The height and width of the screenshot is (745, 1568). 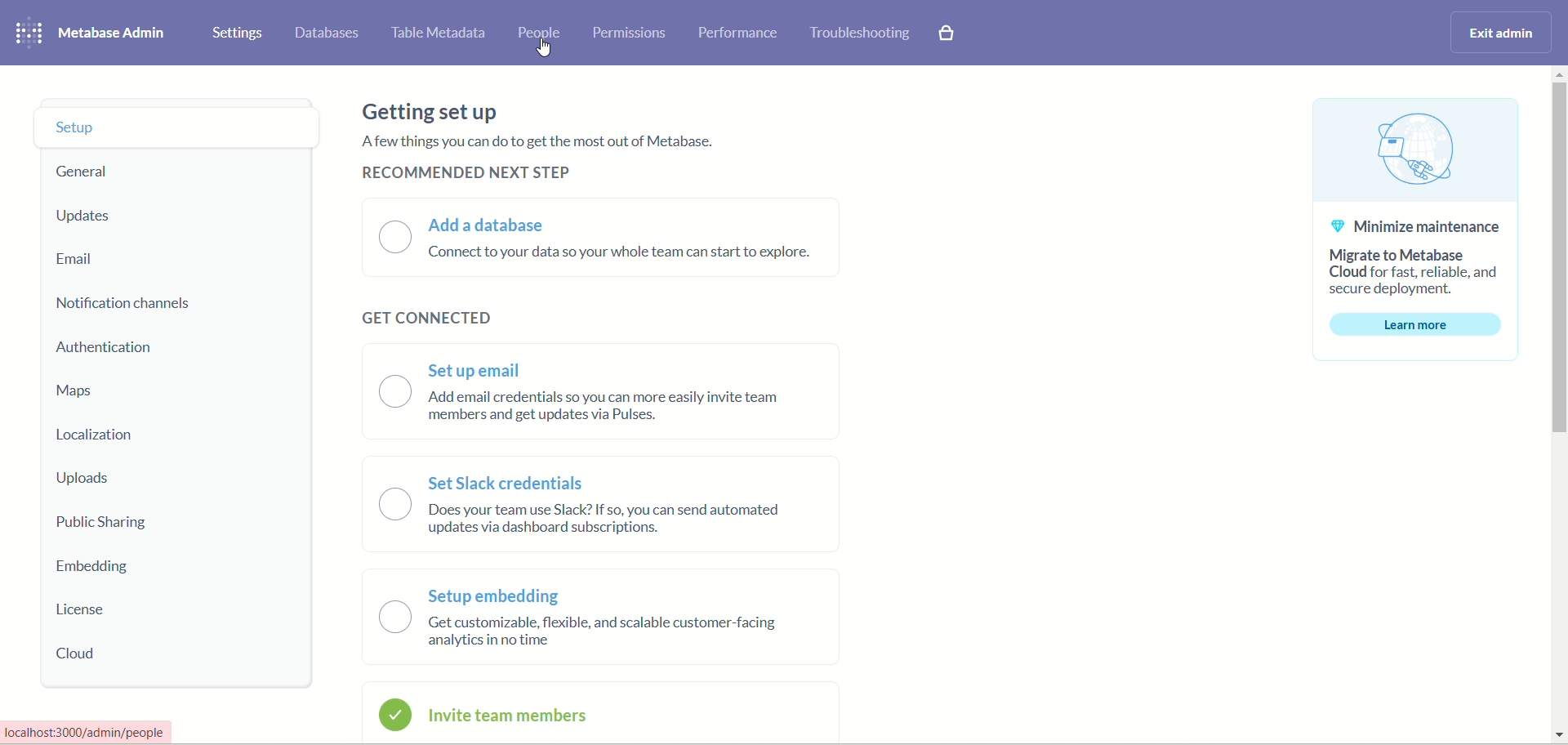 What do you see at coordinates (542, 32) in the screenshot?
I see `people` at bounding box center [542, 32].